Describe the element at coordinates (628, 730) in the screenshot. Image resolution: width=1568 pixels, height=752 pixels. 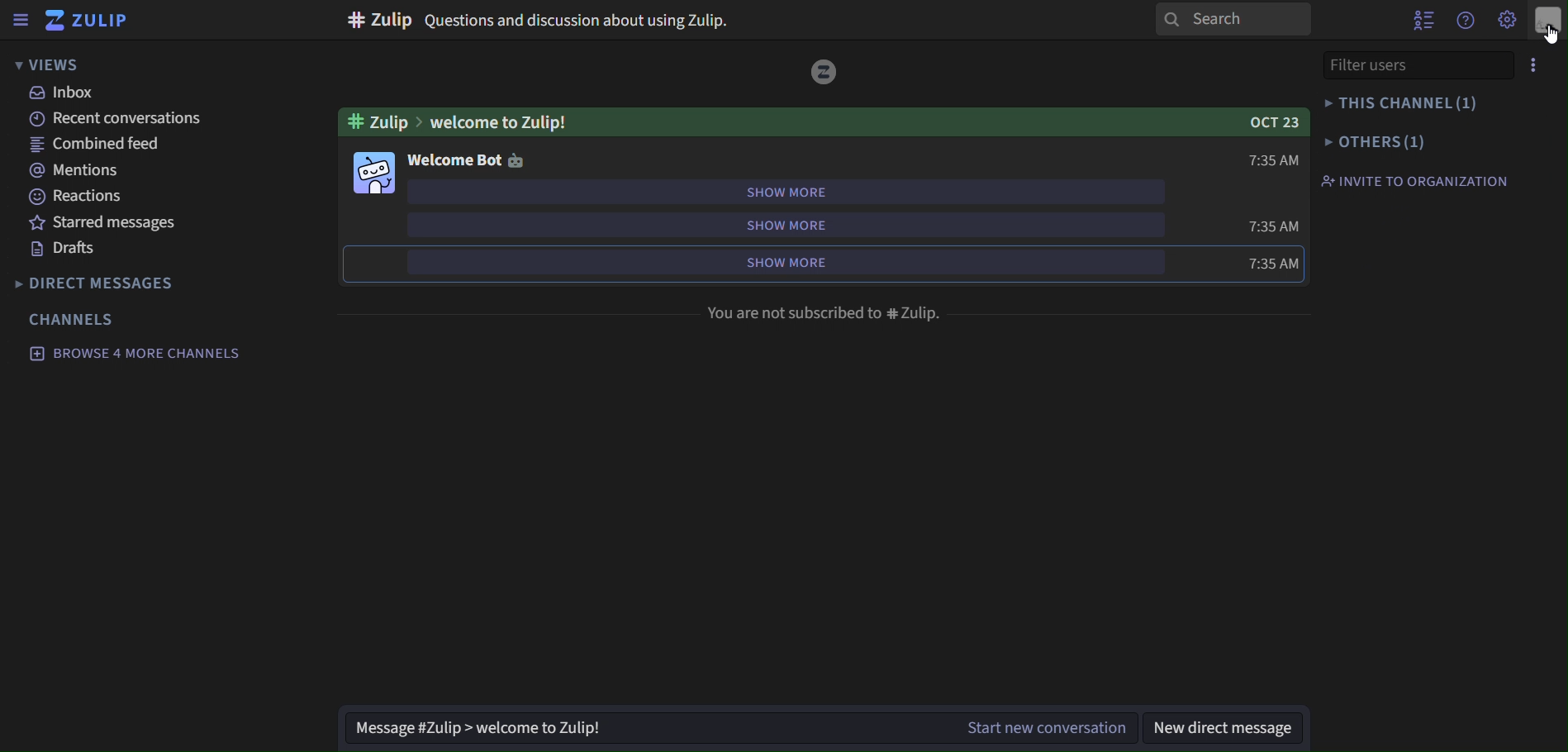
I see `Message #Zulip > welcome to Zulip!` at that location.